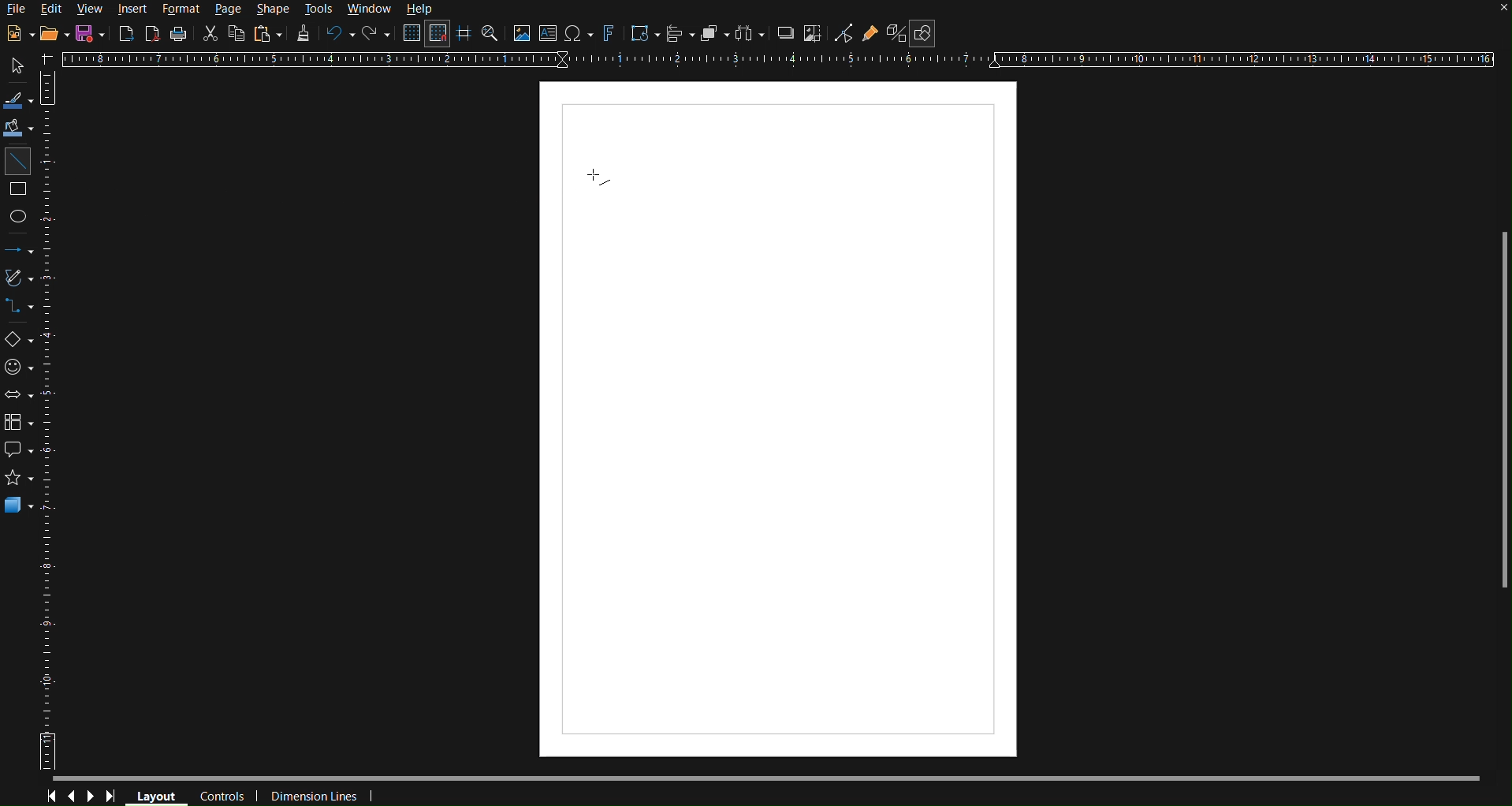 The width and height of the screenshot is (1512, 806). What do you see at coordinates (91, 9) in the screenshot?
I see `View` at bounding box center [91, 9].